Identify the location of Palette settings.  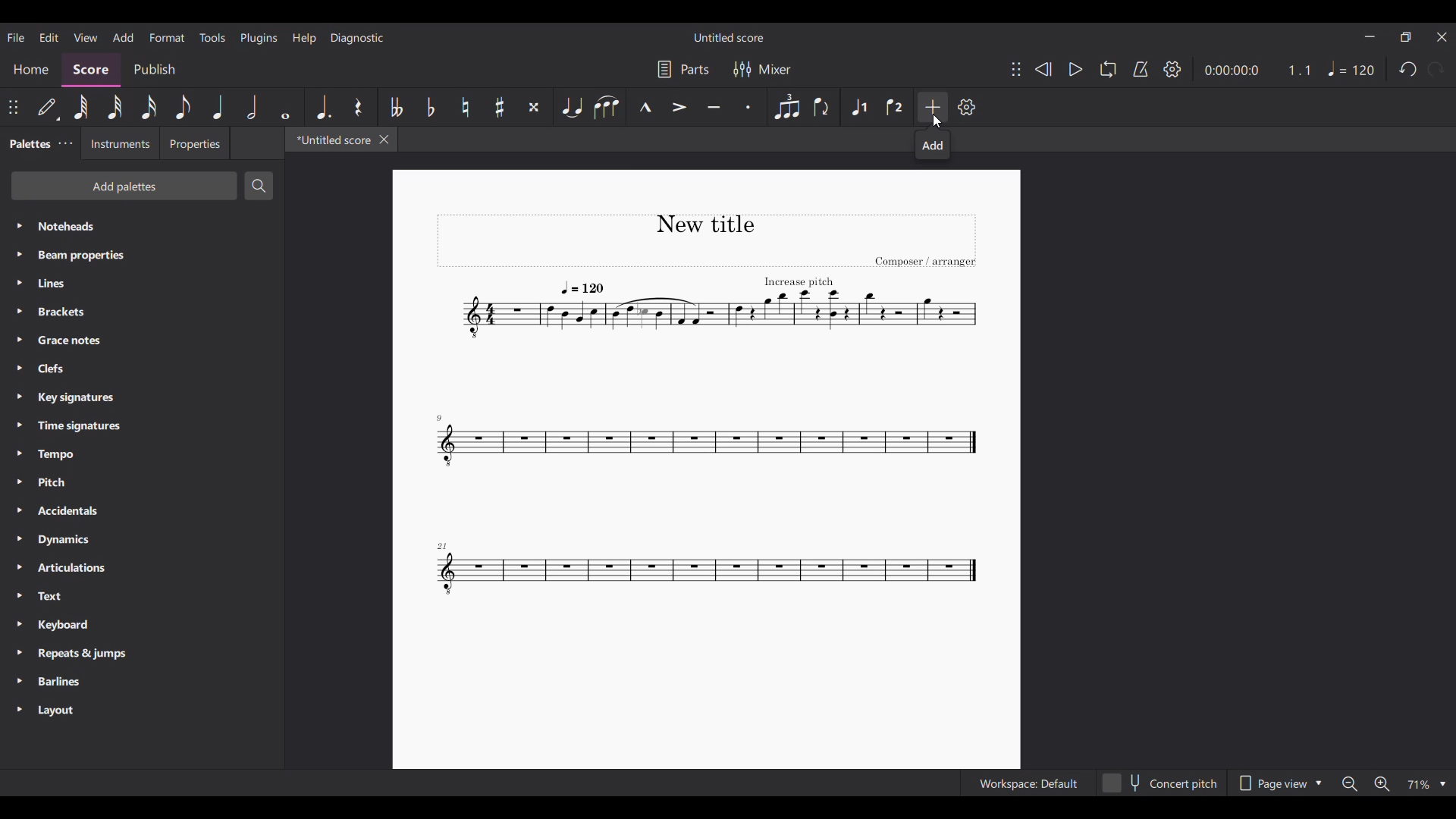
(65, 143).